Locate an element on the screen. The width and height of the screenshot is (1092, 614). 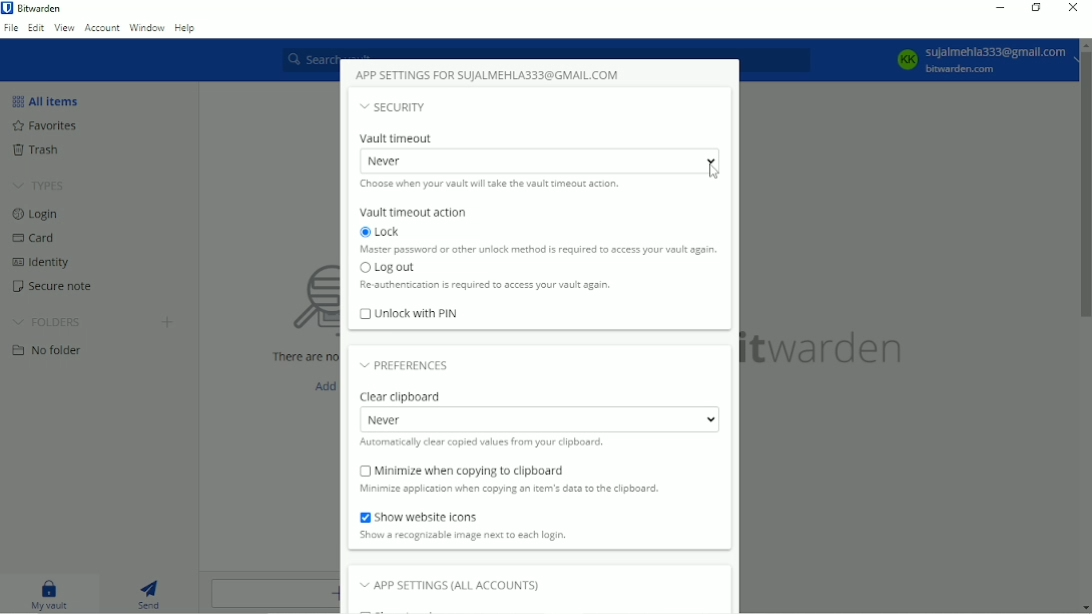
Show a recognizable image next to each login. is located at coordinates (463, 535).